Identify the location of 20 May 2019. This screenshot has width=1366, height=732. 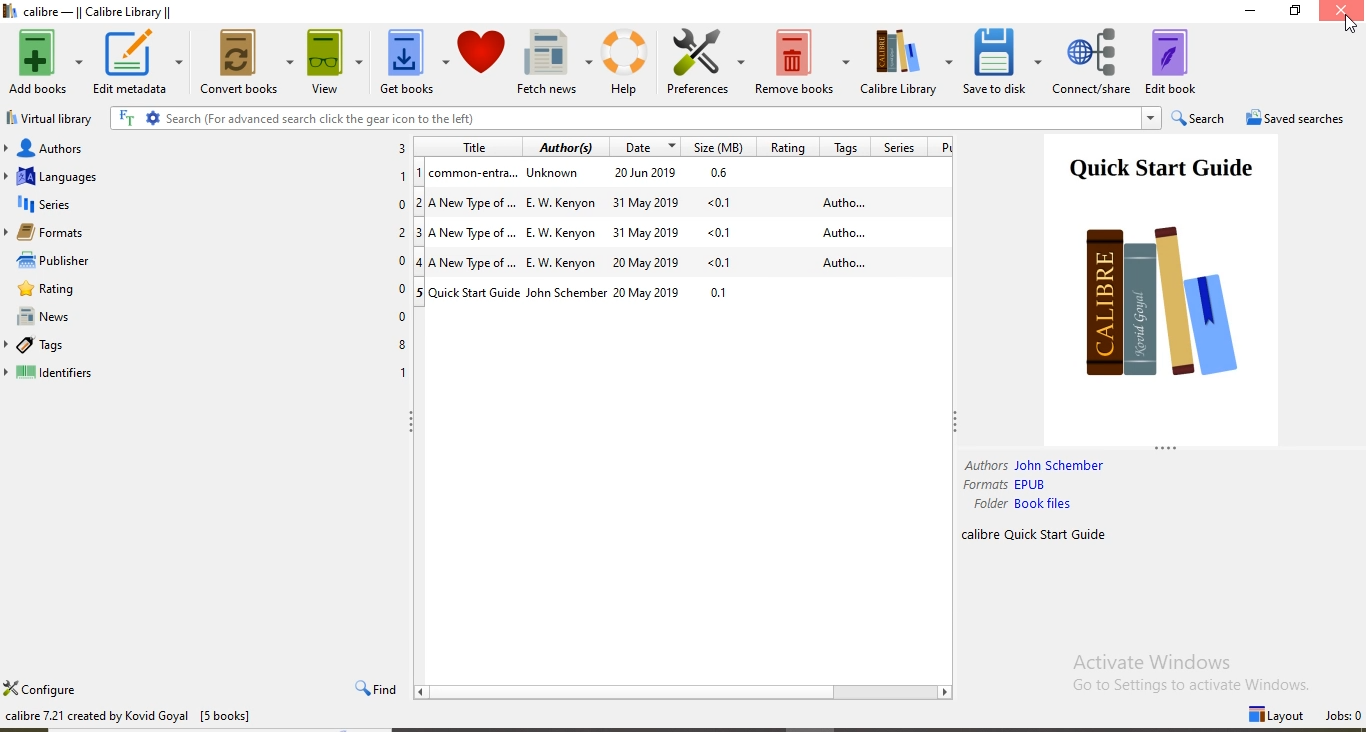
(644, 261).